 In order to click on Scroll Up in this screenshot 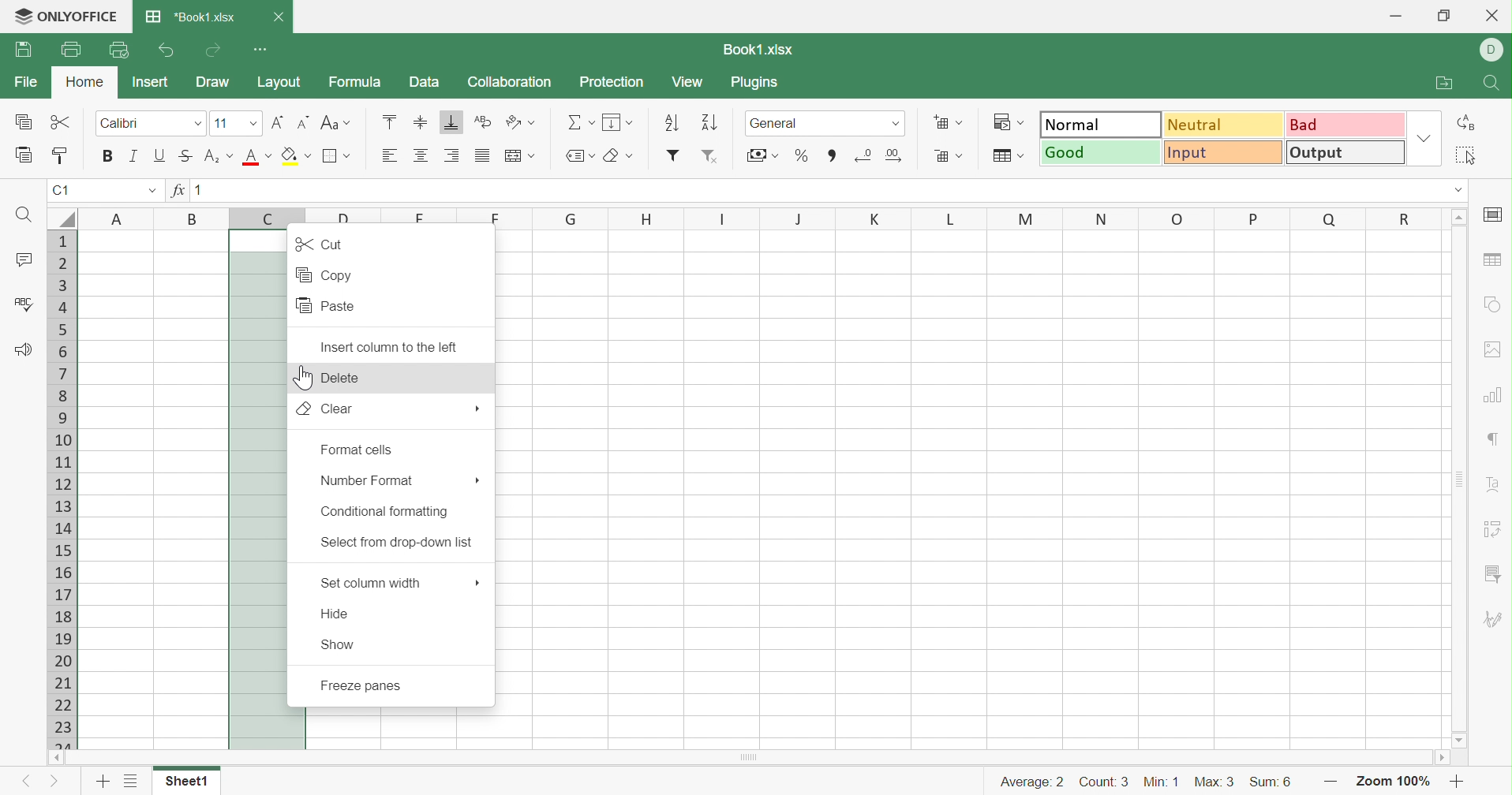, I will do `click(1459, 218)`.